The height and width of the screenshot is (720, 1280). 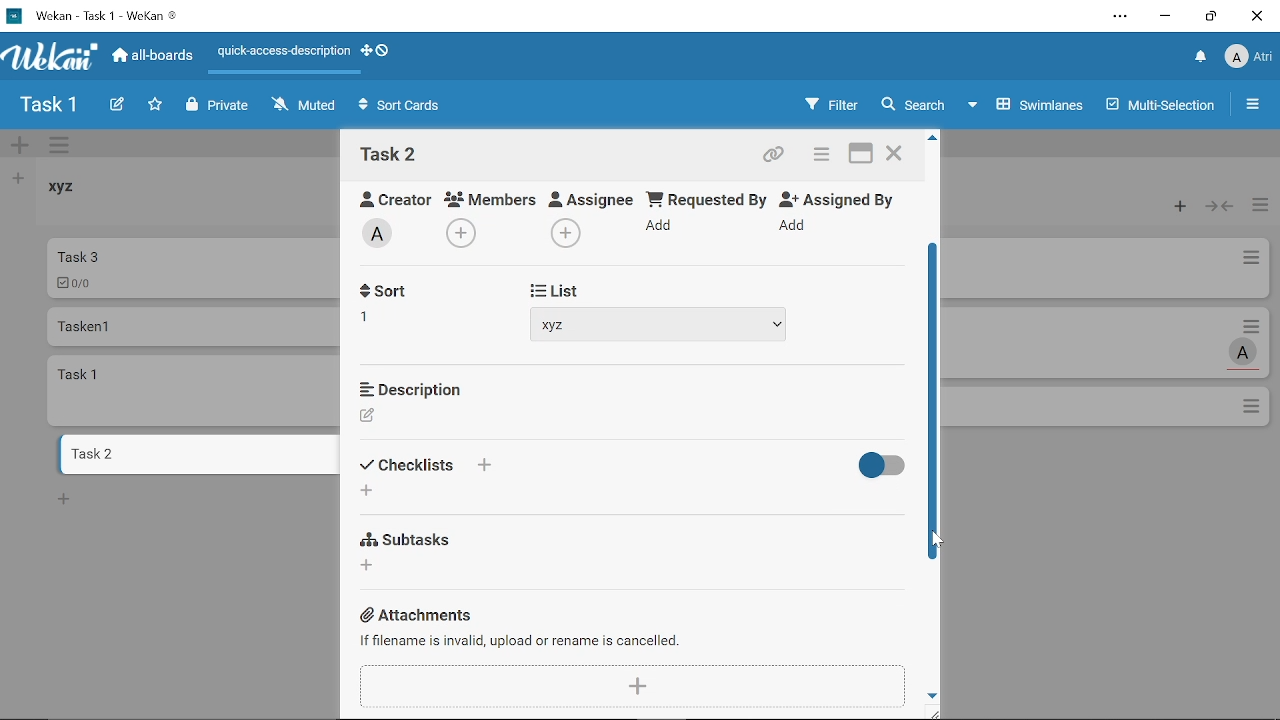 What do you see at coordinates (707, 198) in the screenshot?
I see `Requested By` at bounding box center [707, 198].